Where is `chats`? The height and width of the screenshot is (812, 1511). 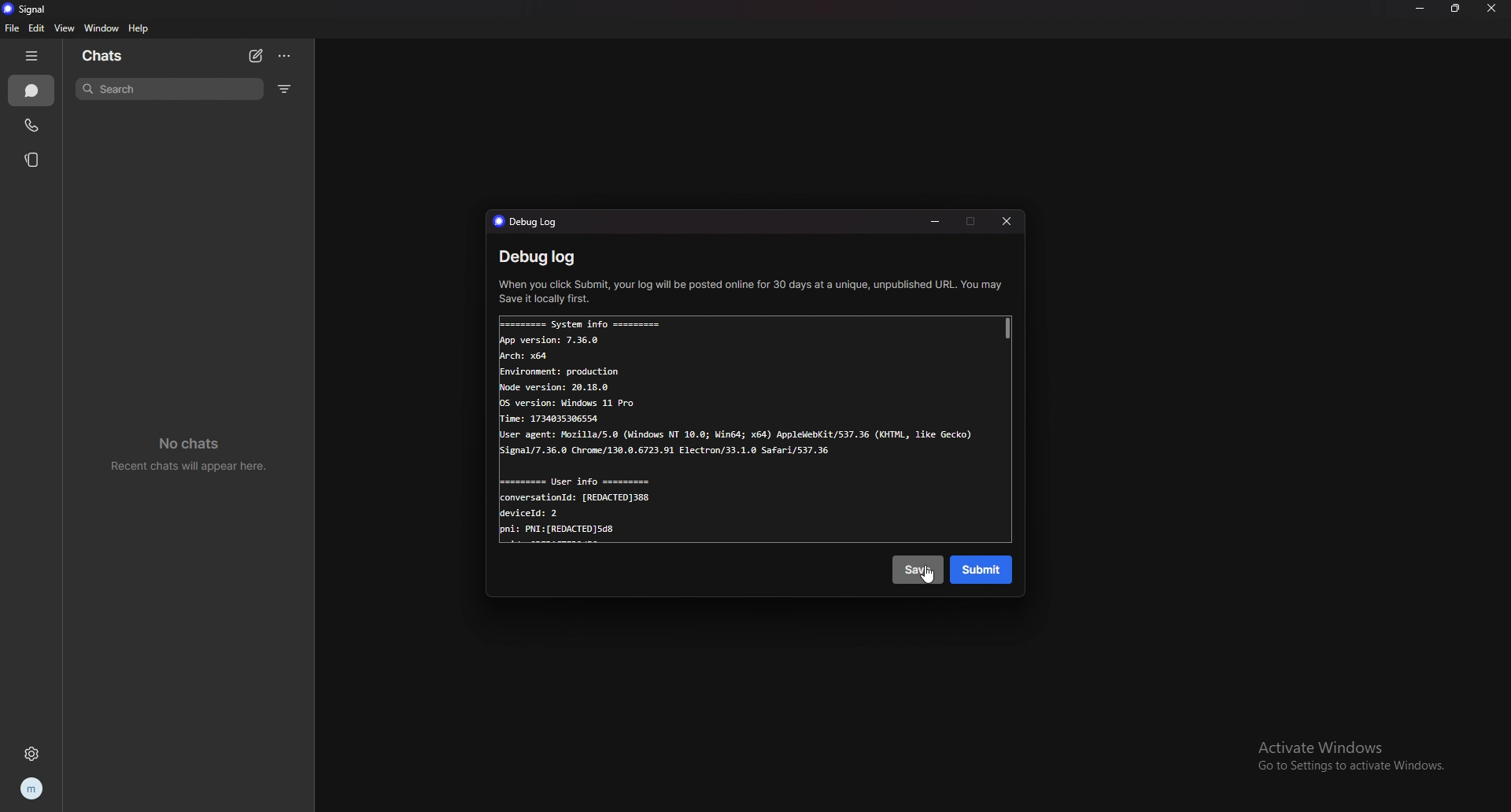 chats is located at coordinates (31, 91).